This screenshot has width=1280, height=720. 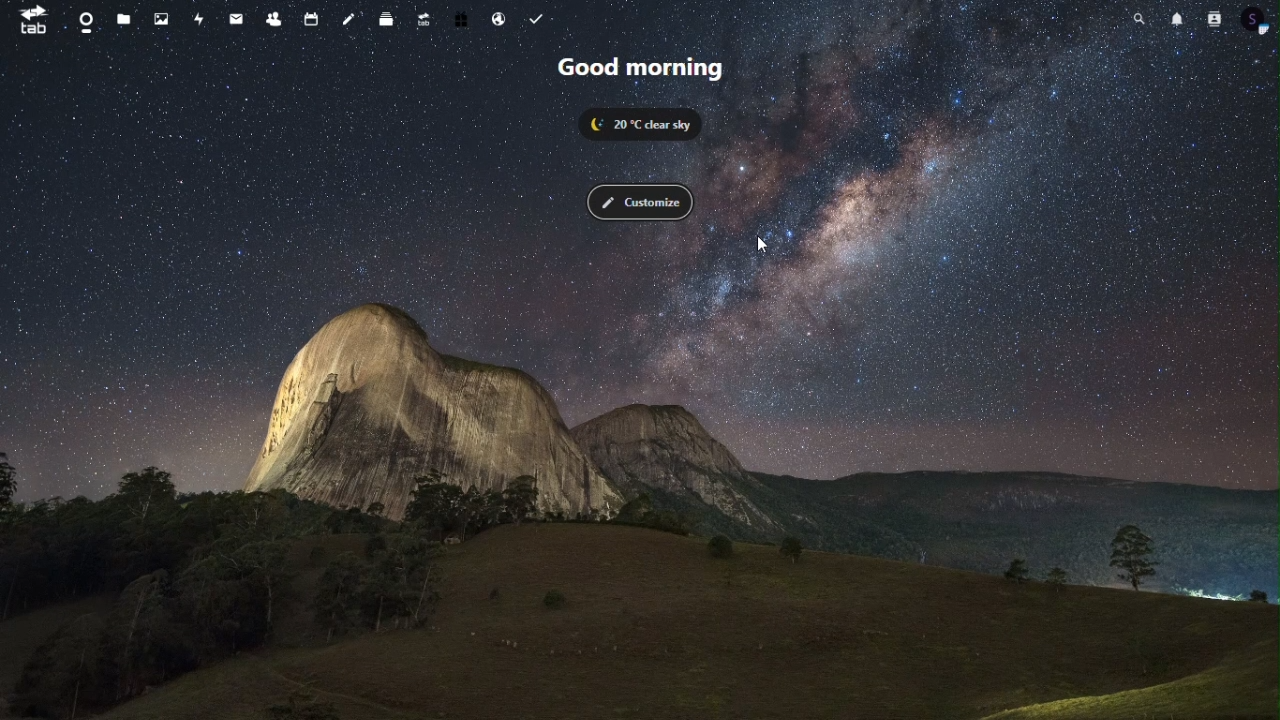 What do you see at coordinates (428, 21) in the screenshot?
I see `upgrade` at bounding box center [428, 21].